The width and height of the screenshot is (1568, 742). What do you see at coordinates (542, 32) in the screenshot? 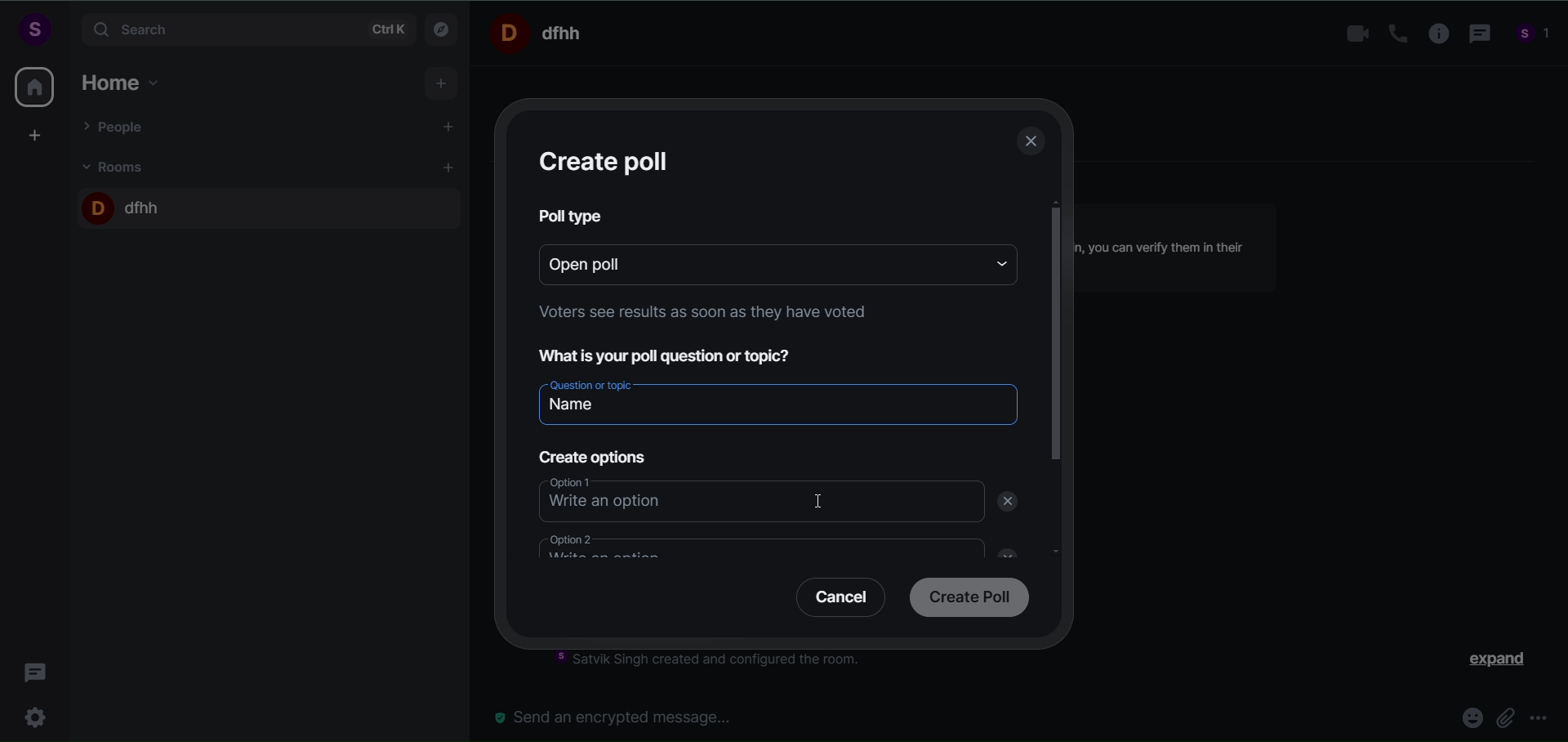
I see `room name` at bounding box center [542, 32].